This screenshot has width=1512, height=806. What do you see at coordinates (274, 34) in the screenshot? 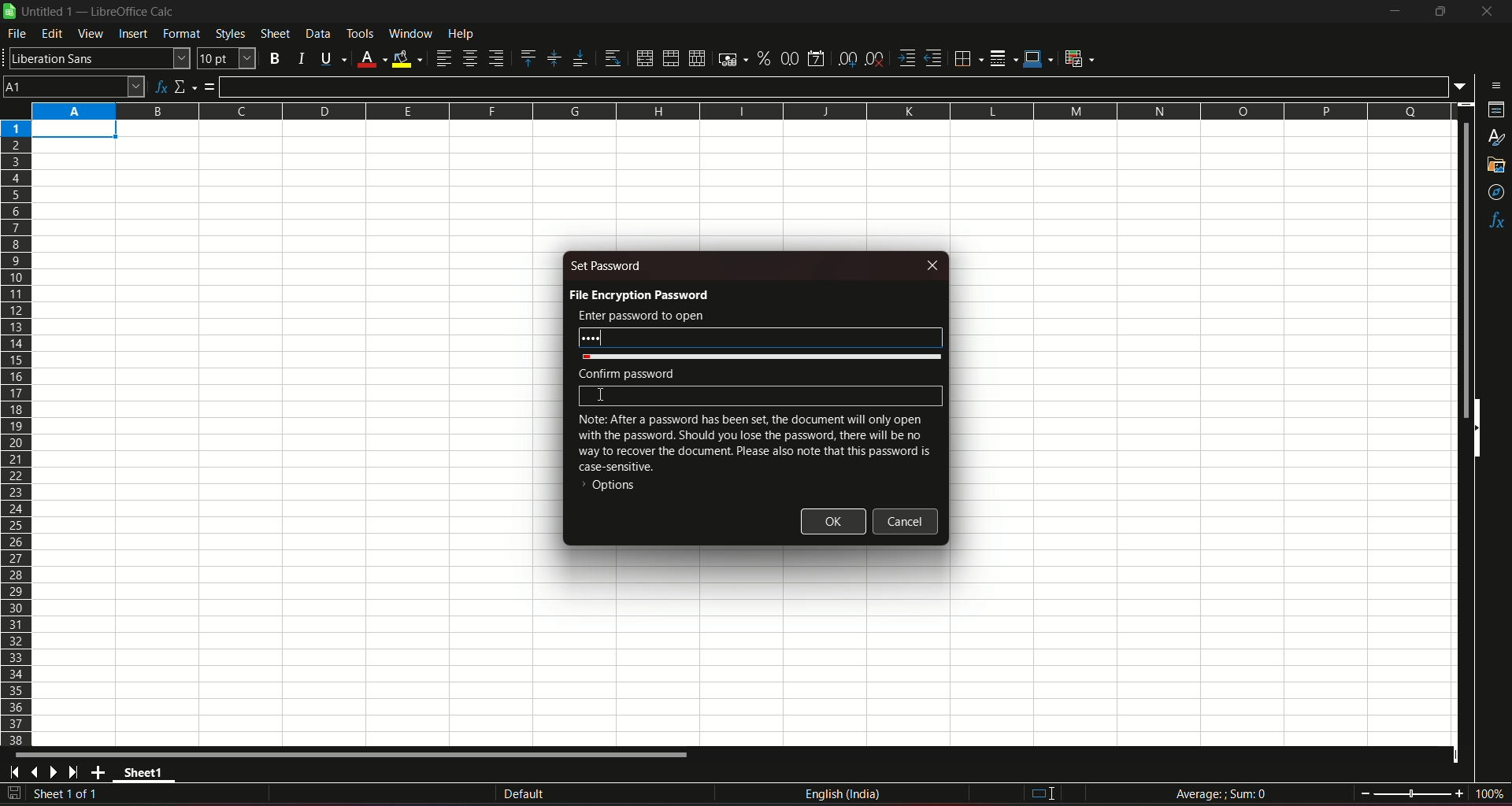
I see `Sheet` at bounding box center [274, 34].